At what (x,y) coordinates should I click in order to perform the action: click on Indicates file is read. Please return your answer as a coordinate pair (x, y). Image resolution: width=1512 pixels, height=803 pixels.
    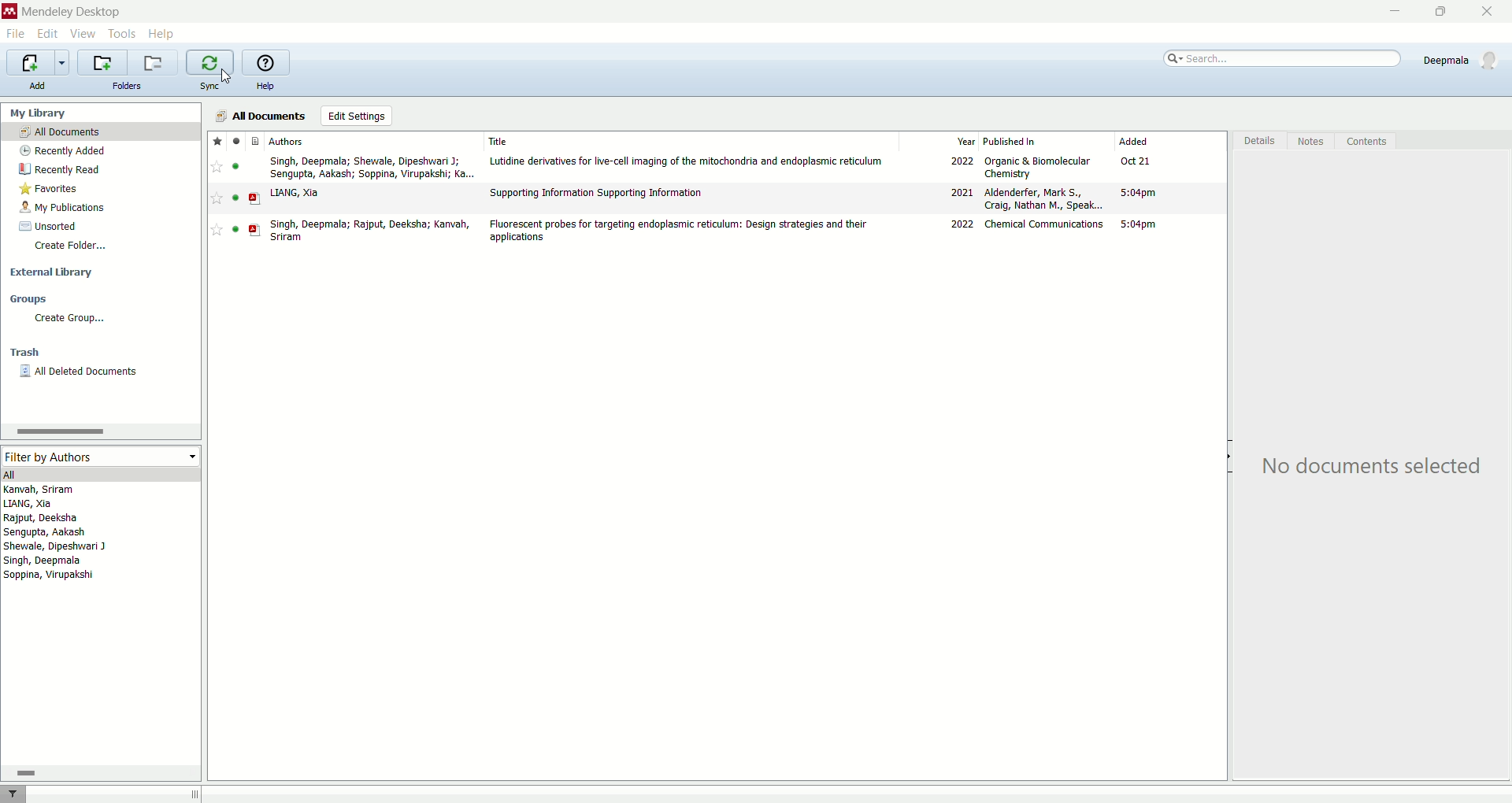
    Looking at the image, I should click on (235, 197).